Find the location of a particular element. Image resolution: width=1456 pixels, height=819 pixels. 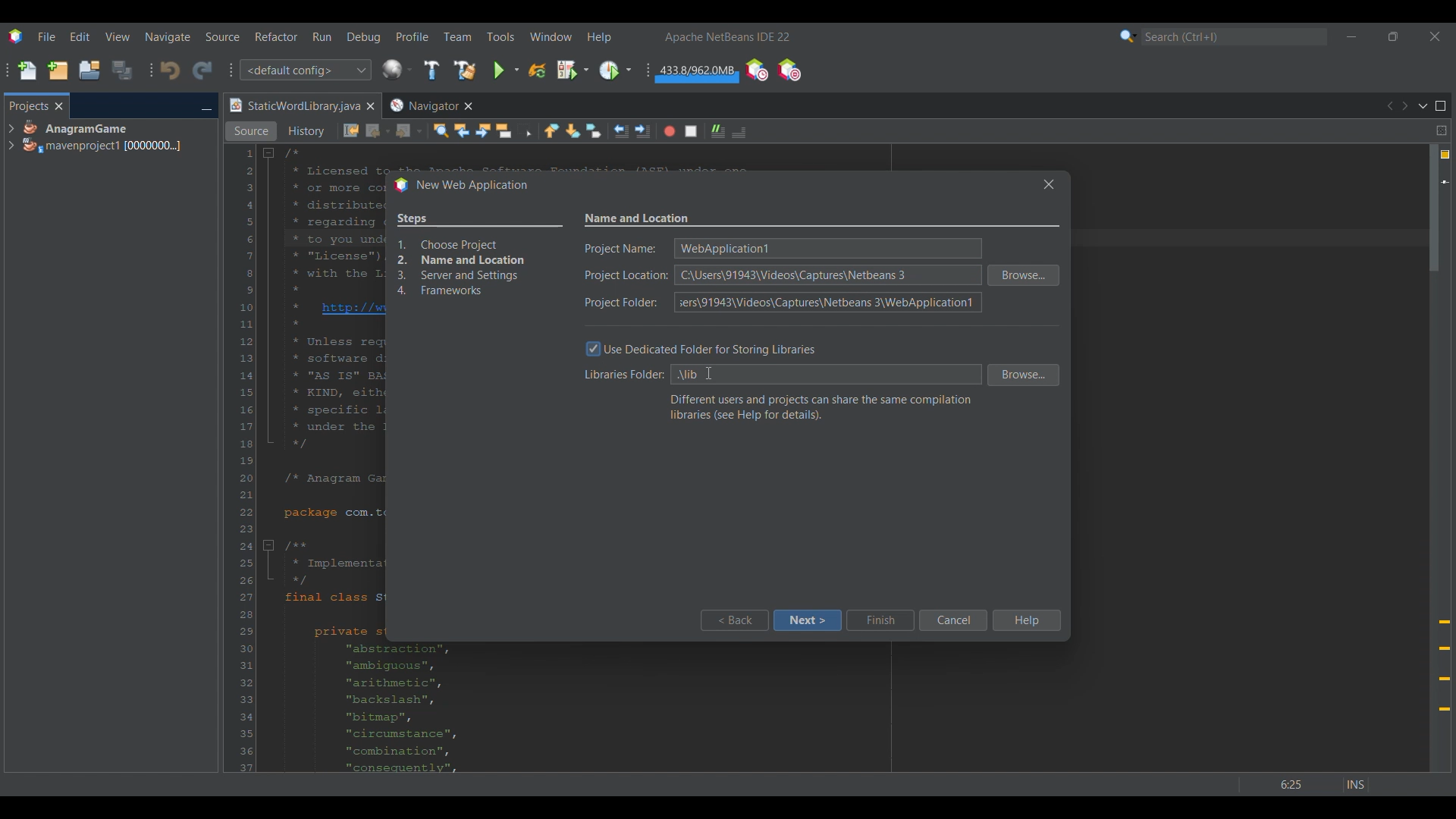

Expand is located at coordinates (11, 137).